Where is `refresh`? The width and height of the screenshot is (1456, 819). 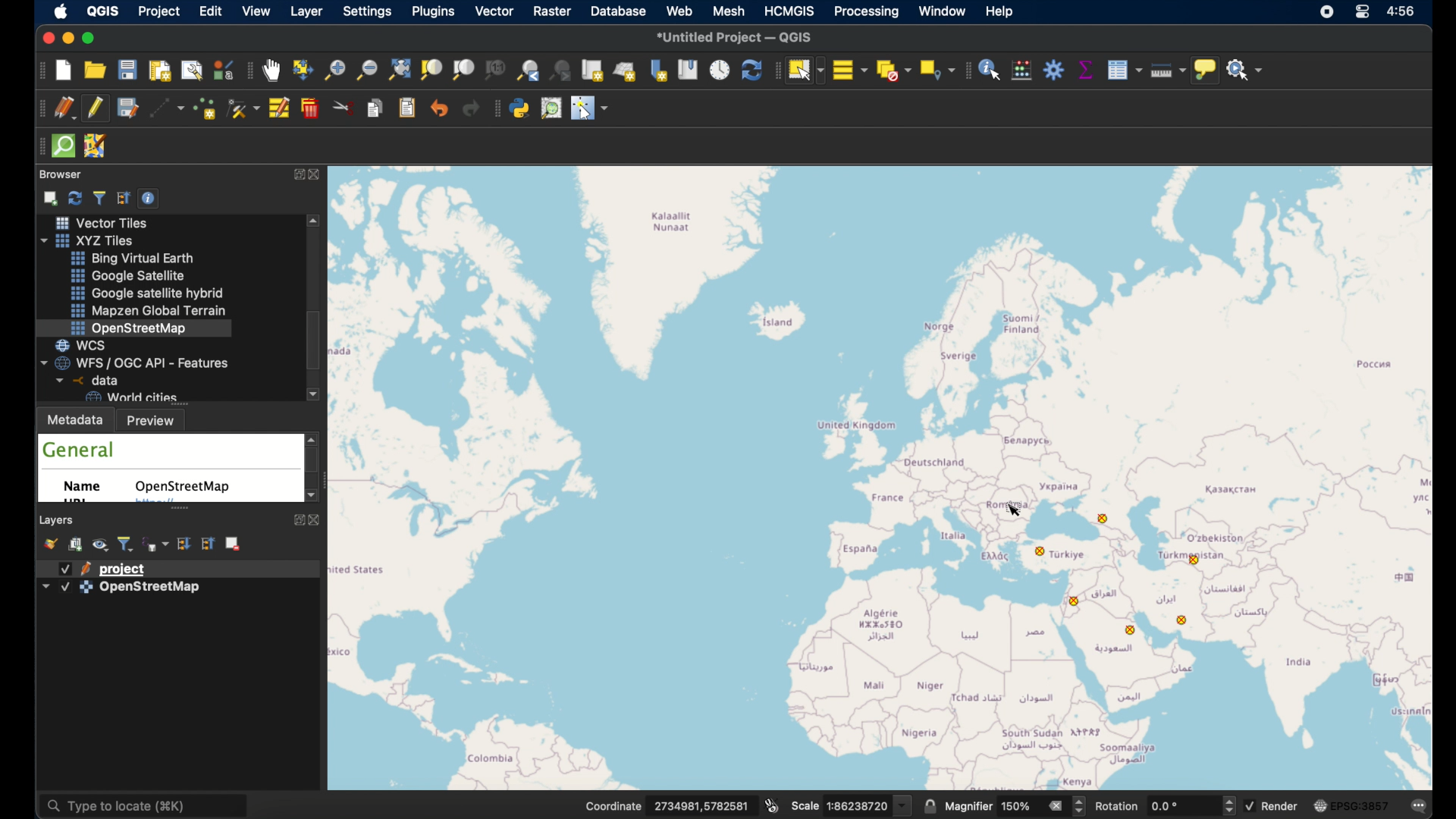
refresh is located at coordinates (750, 70).